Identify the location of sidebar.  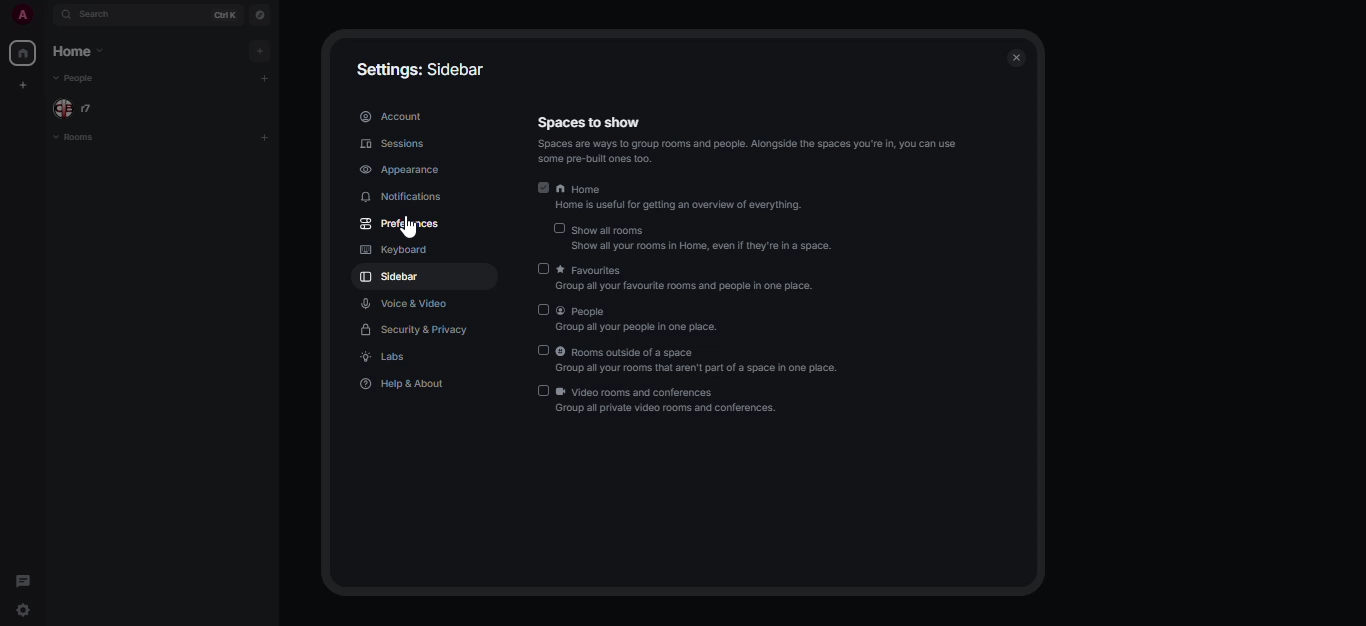
(389, 277).